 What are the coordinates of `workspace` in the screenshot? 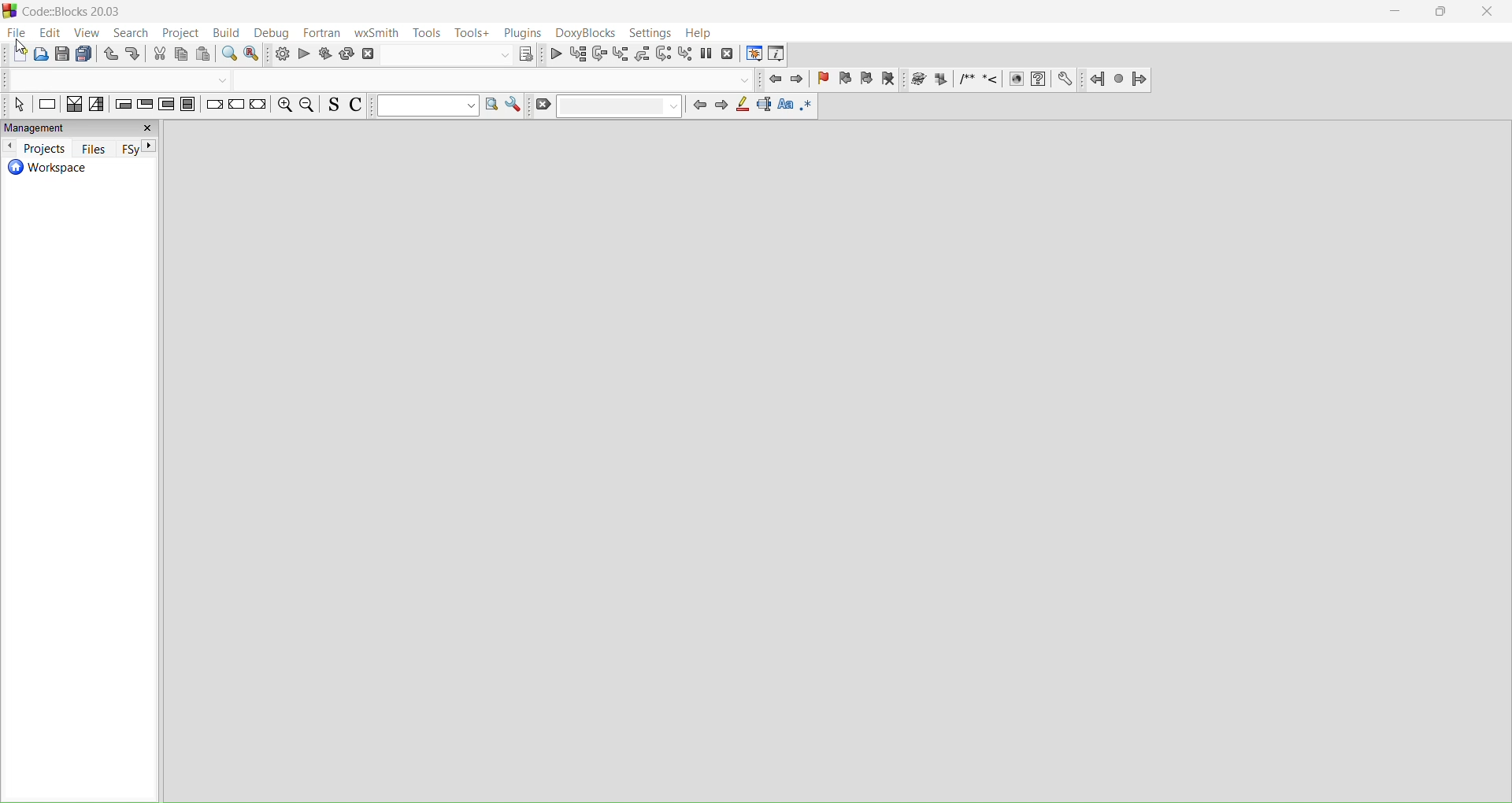 It's located at (81, 169).